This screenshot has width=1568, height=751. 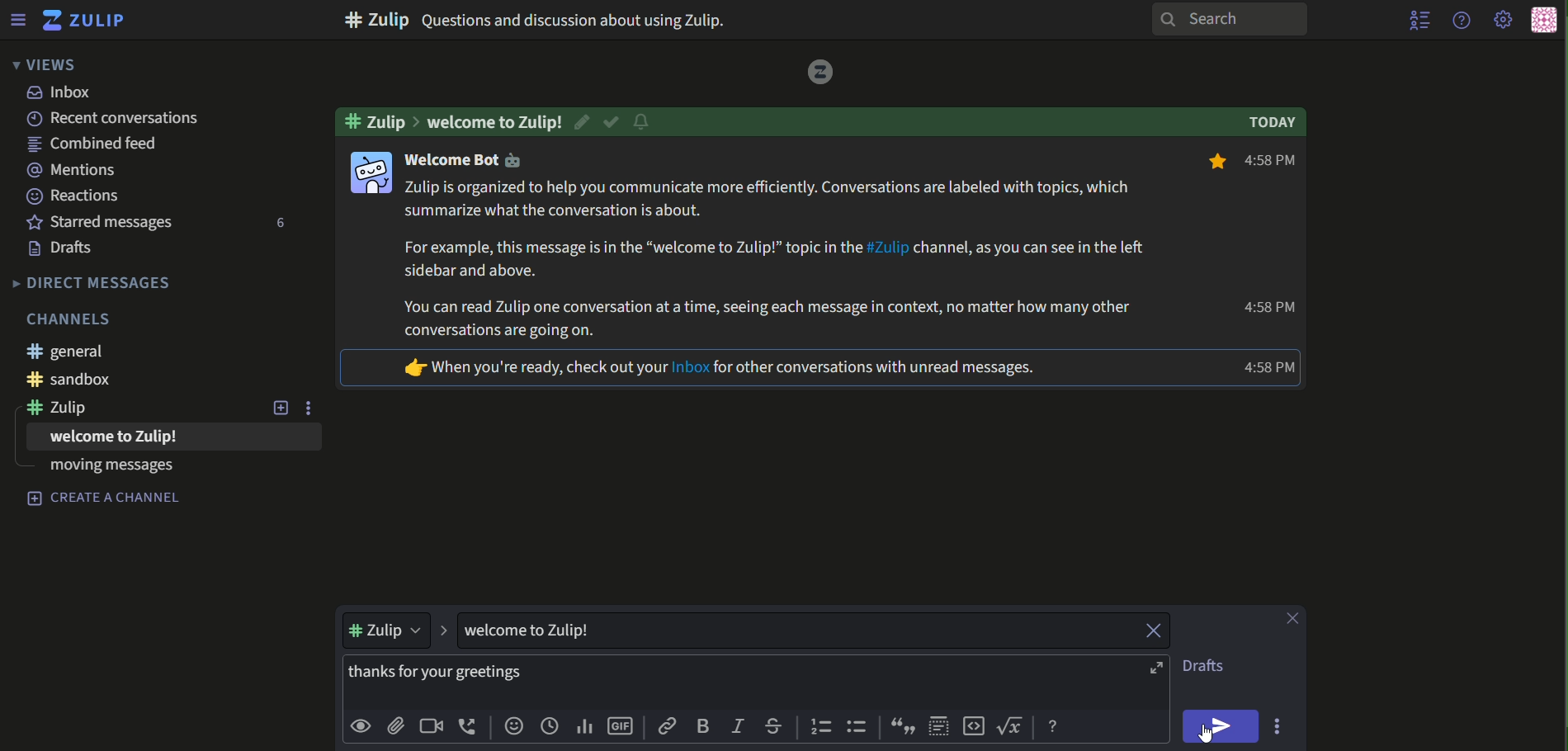 What do you see at coordinates (584, 727) in the screenshot?
I see `add poll` at bounding box center [584, 727].